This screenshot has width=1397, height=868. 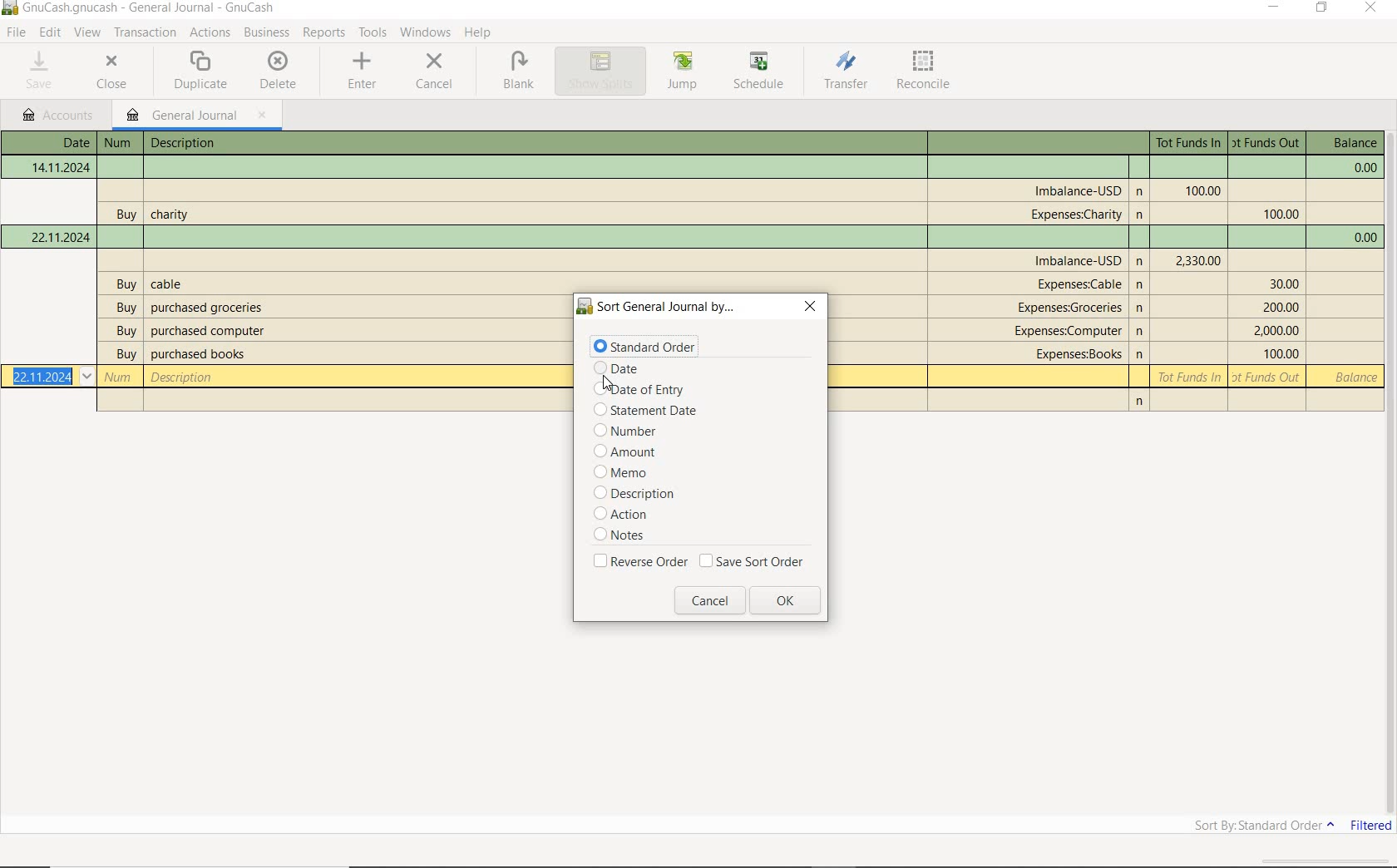 What do you see at coordinates (519, 72) in the screenshot?
I see `BLANK` at bounding box center [519, 72].